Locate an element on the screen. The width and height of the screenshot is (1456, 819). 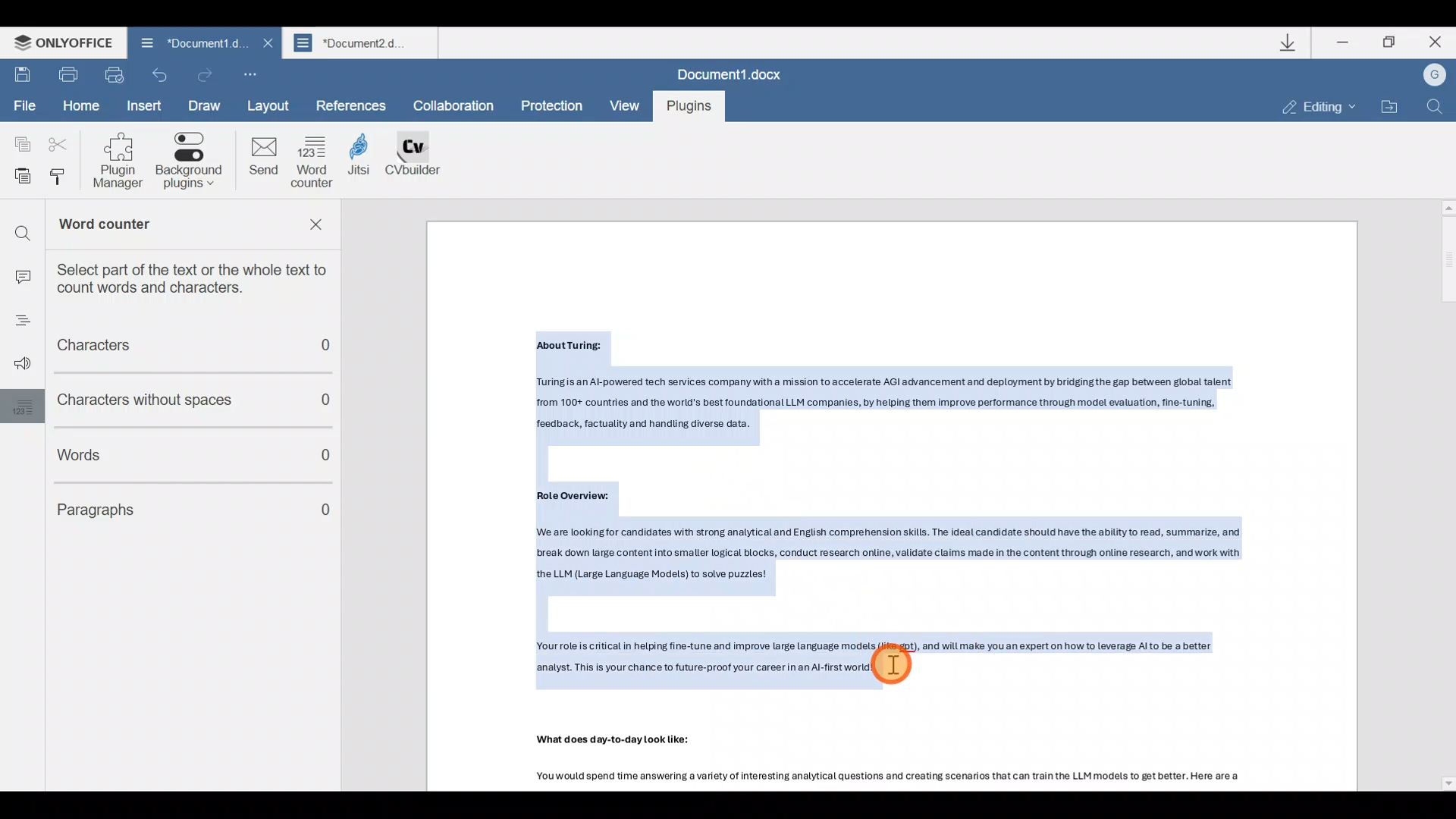
Paste is located at coordinates (18, 178).